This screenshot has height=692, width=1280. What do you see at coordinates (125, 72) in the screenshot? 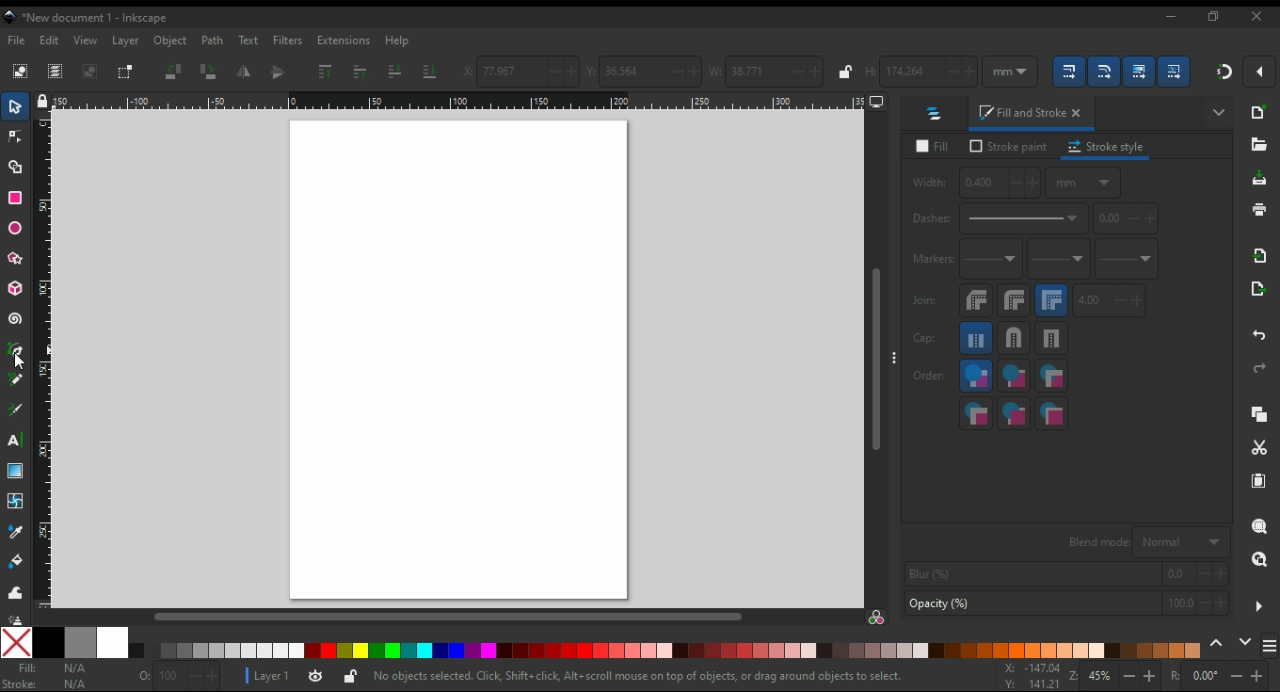
I see `toggle selection` at bounding box center [125, 72].